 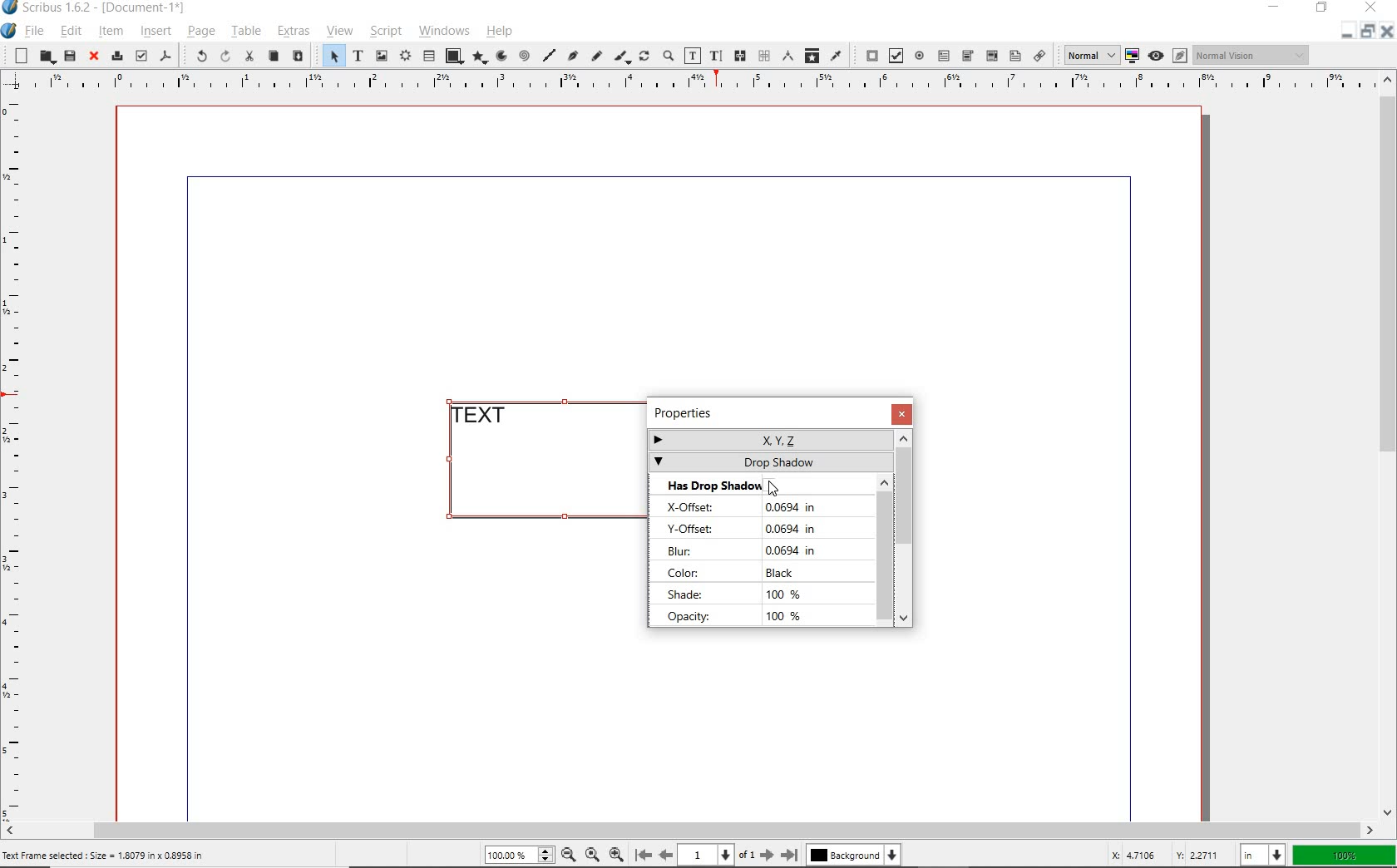 What do you see at coordinates (768, 462) in the screenshot?
I see `drop shadow` at bounding box center [768, 462].